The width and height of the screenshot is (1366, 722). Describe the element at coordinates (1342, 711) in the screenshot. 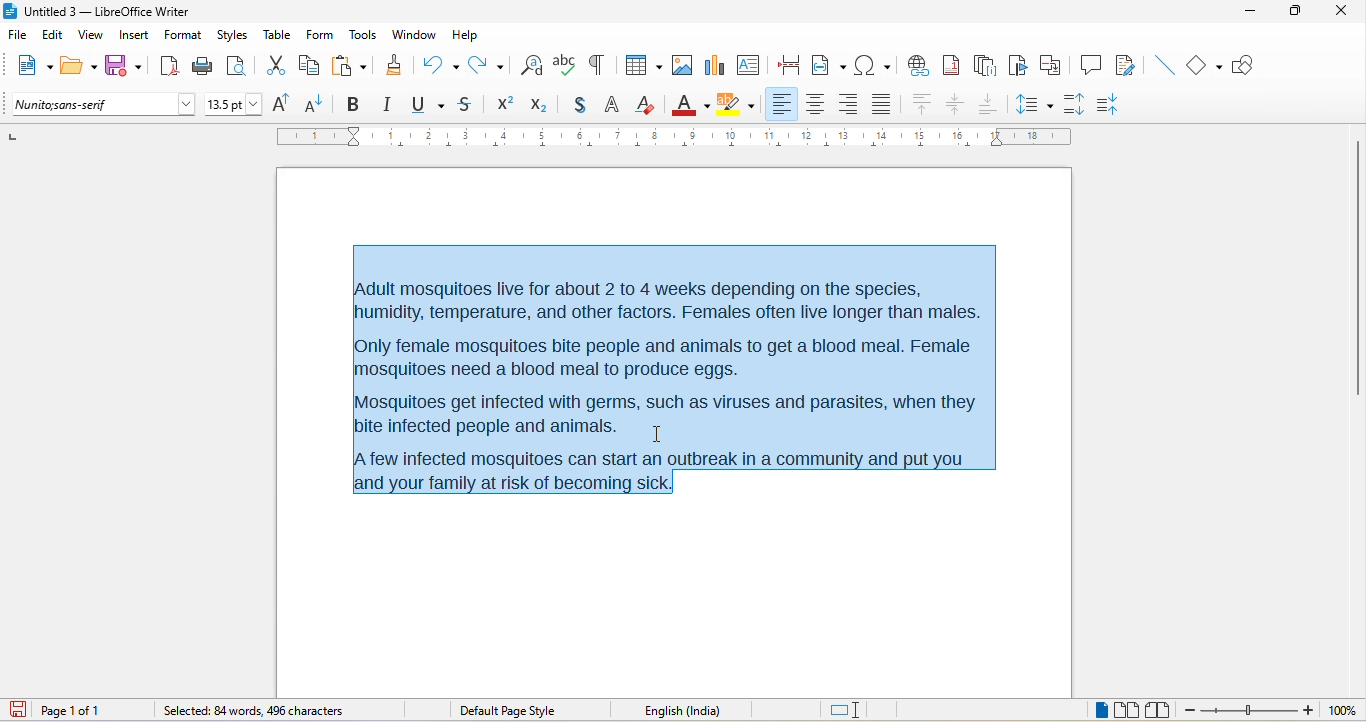

I see `100%` at that location.